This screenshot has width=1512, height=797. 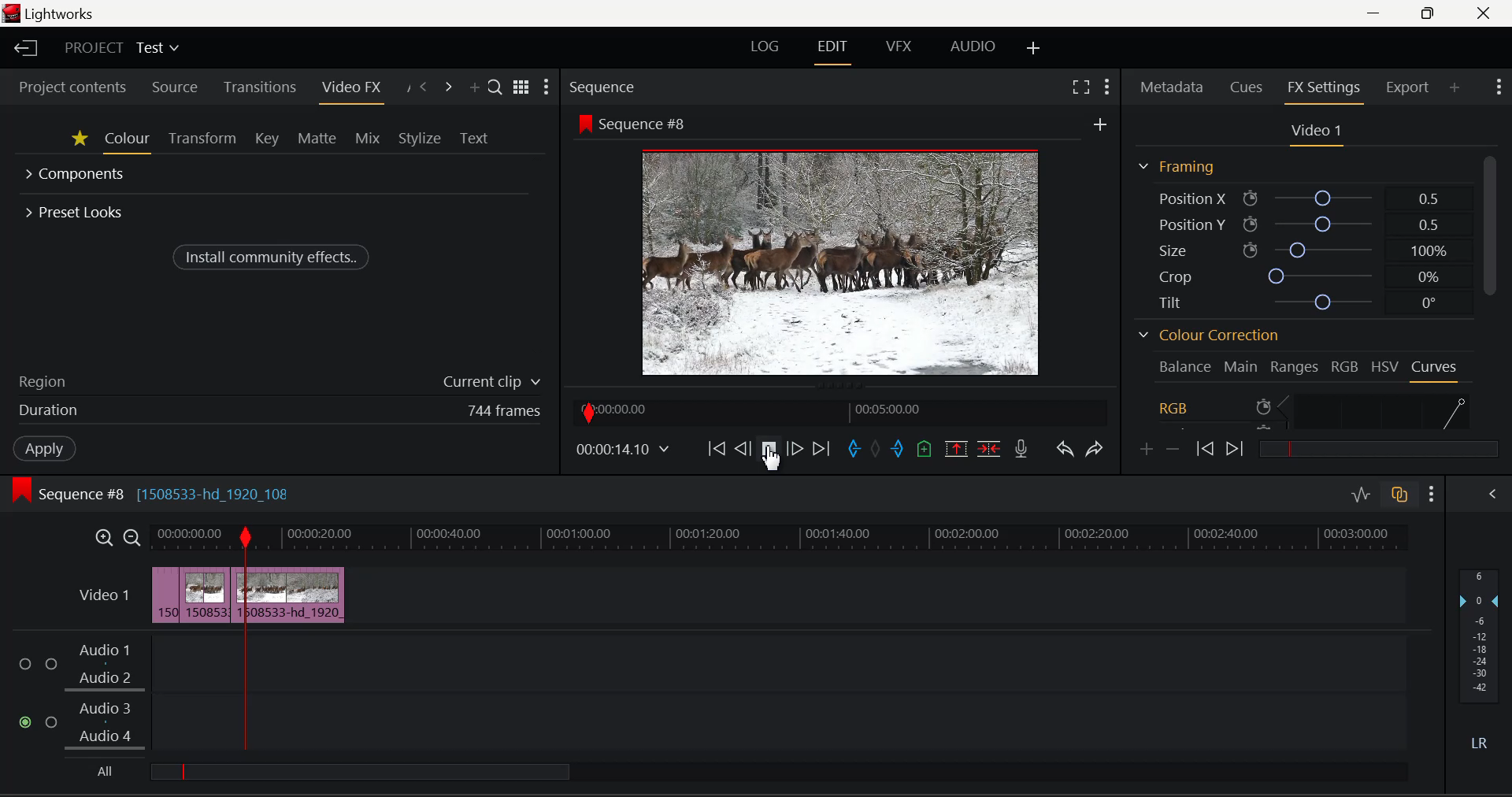 I want to click on FX Settings Open, so click(x=1324, y=89).